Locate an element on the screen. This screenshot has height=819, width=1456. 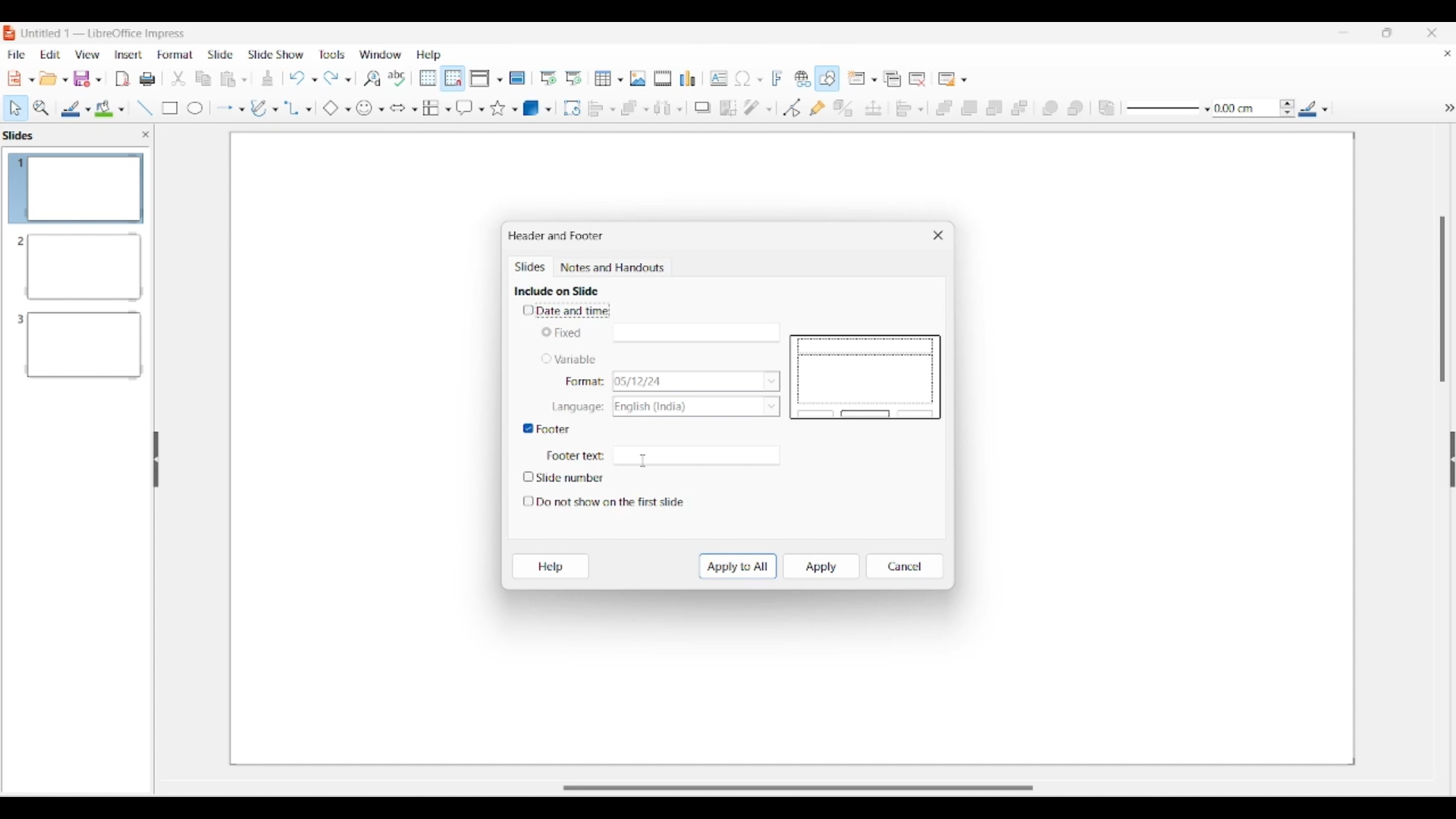
Behind object is located at coordinates (1075, 108).